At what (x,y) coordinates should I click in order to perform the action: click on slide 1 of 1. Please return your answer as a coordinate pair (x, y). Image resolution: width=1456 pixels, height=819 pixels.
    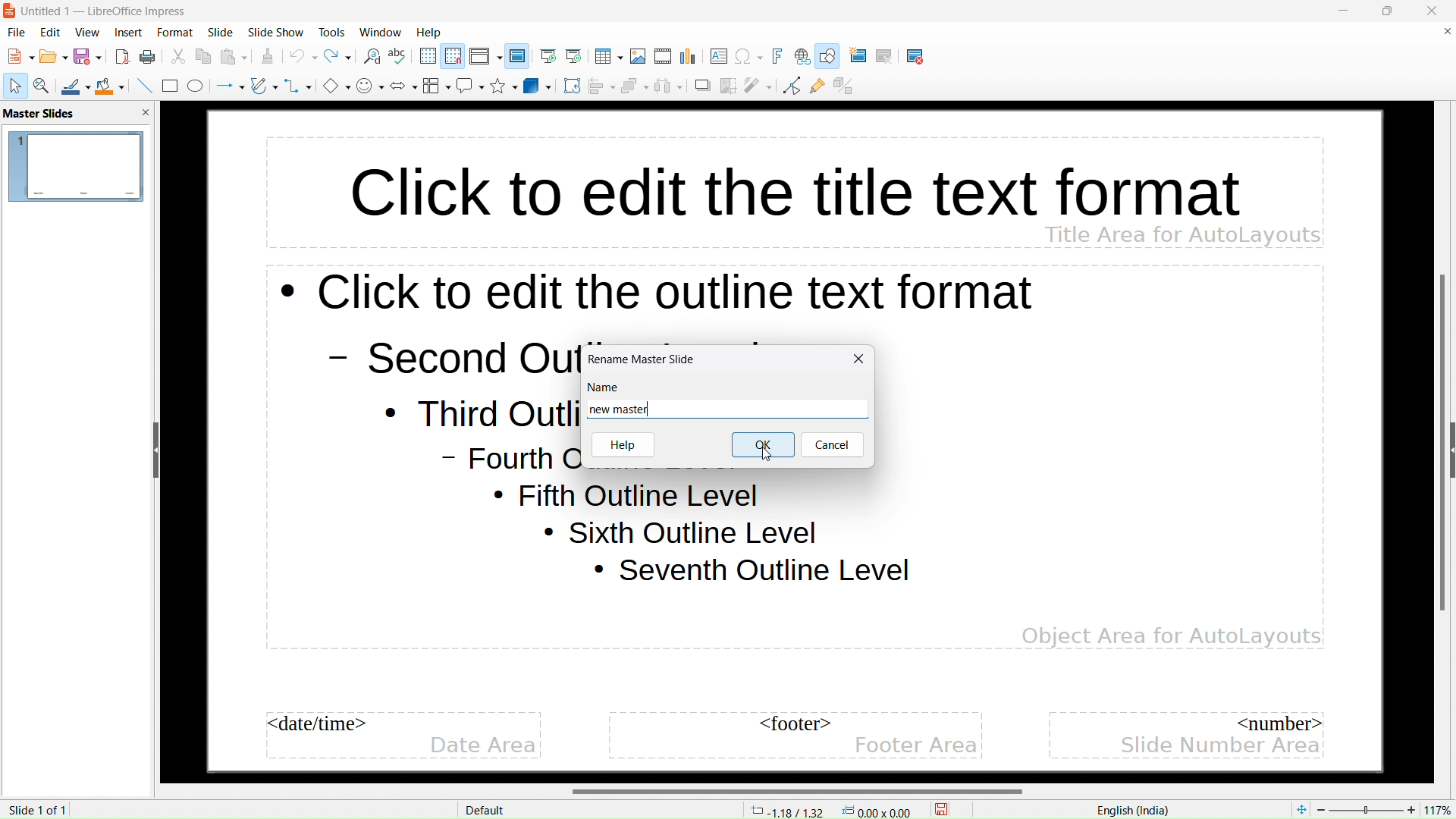
    Looking at the image, I should click on (37, 810).